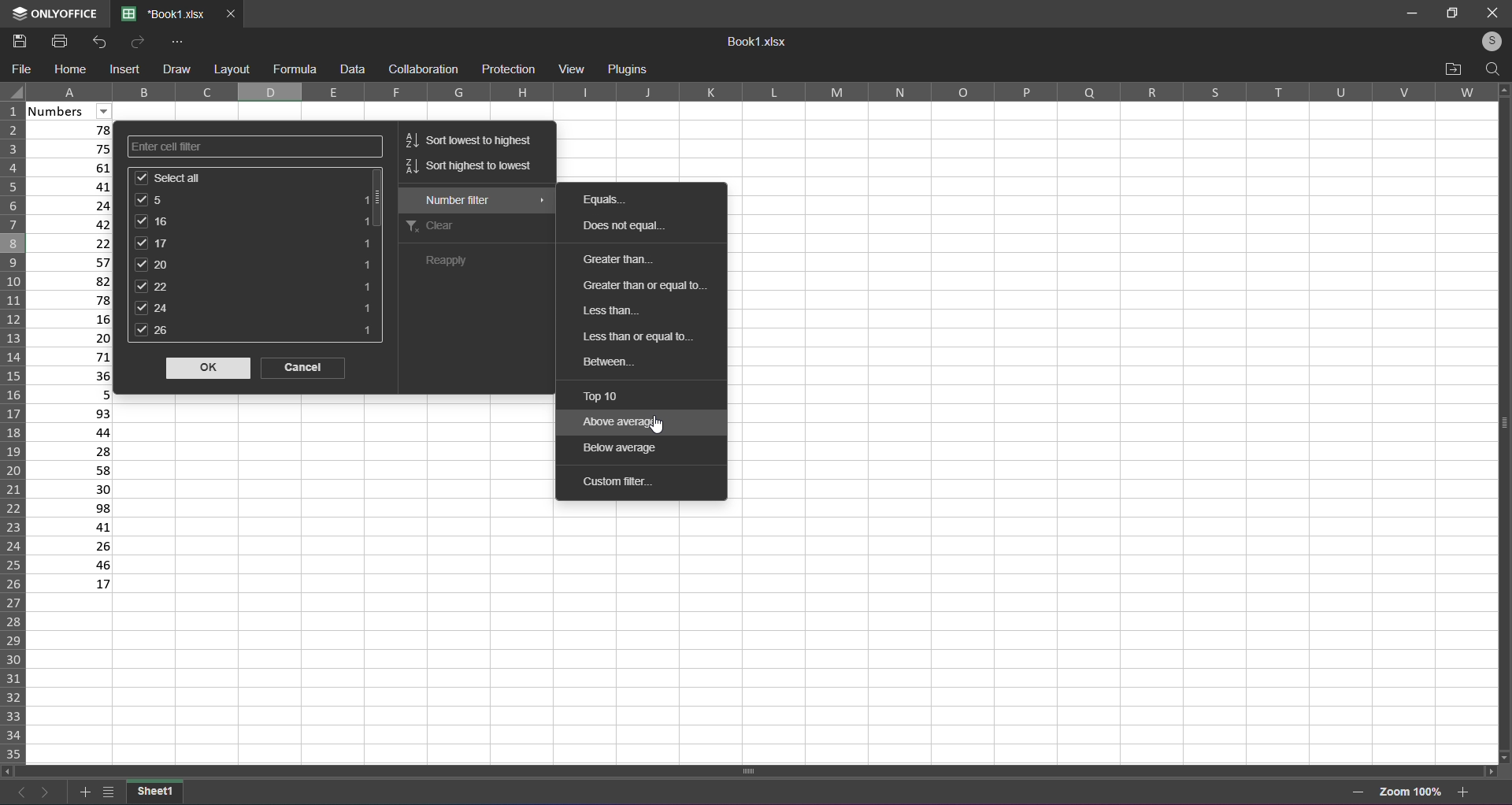 The width and height of the screenshot is (1512, 805). I want to click on Enter Cell filter, so click(252, 146).